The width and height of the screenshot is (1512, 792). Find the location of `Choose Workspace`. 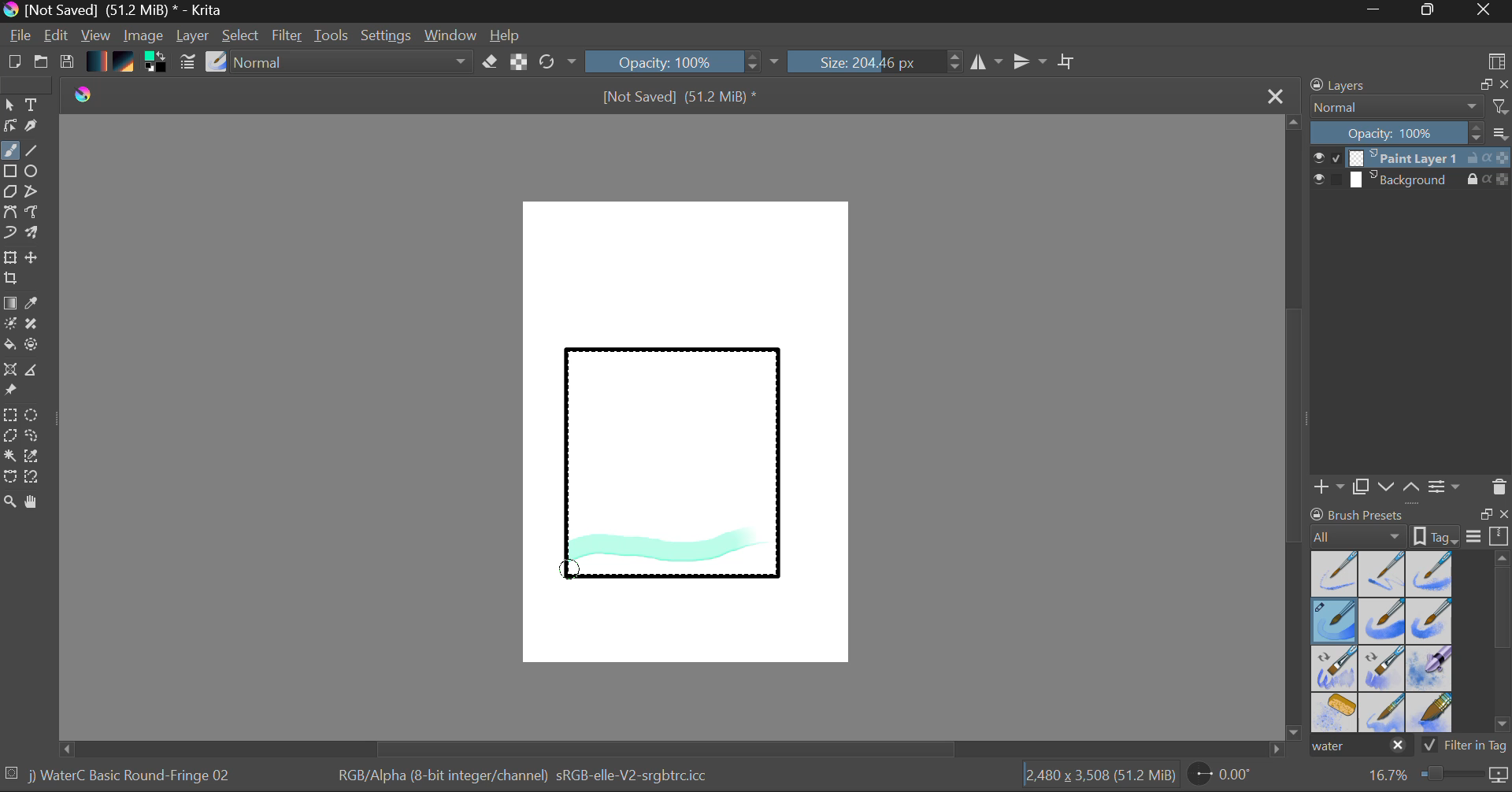

Choose Workspace is located at coordinates (1496, 60).